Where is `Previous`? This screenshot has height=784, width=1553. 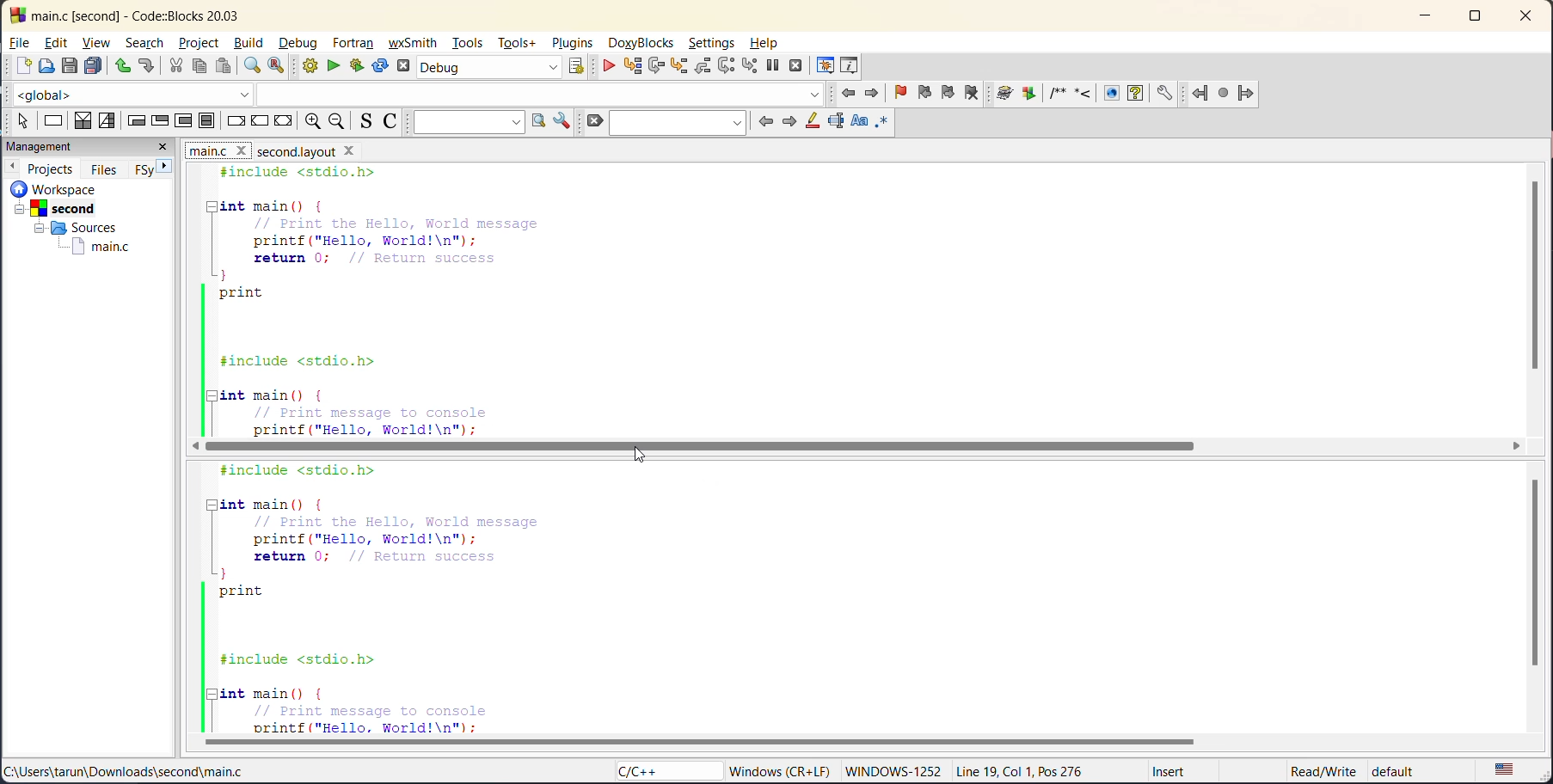 Previous is located at coordinates (15, 165).